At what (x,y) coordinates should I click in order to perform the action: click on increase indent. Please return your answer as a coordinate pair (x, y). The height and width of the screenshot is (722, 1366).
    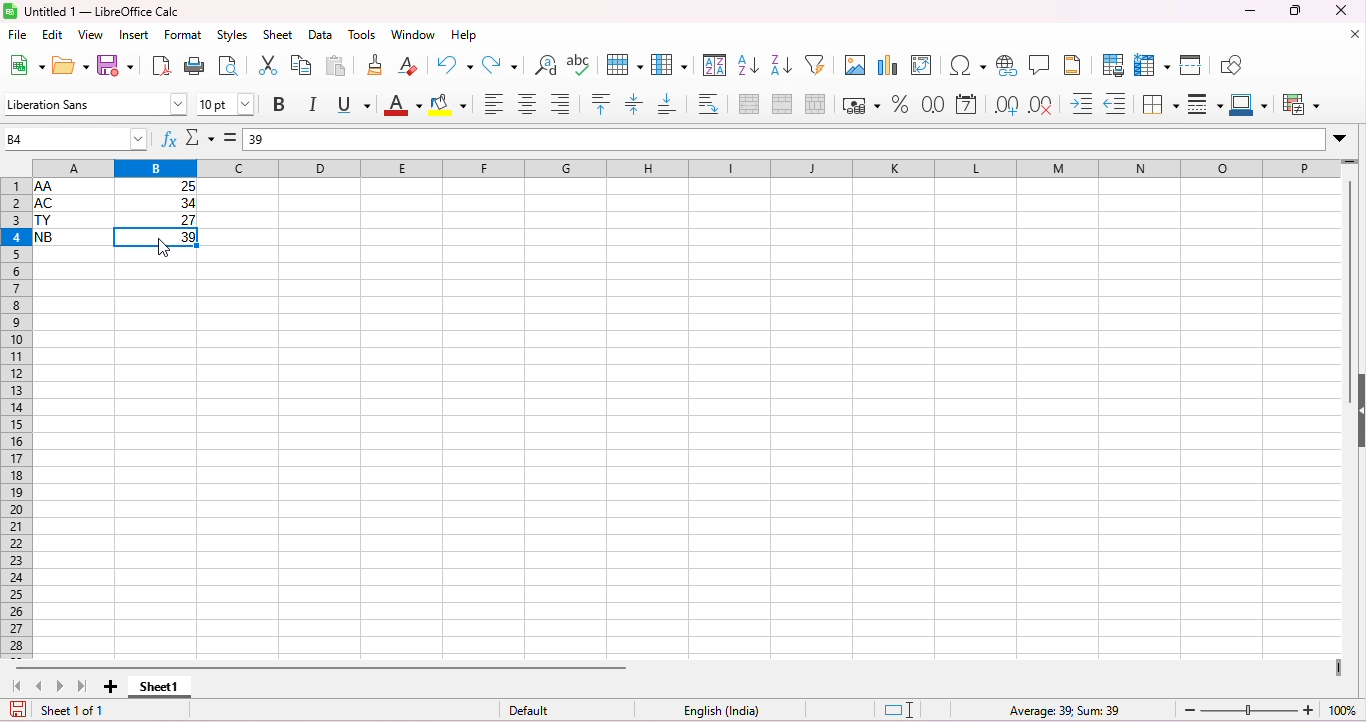
    Looking at the image, I should click on (1083, 103).